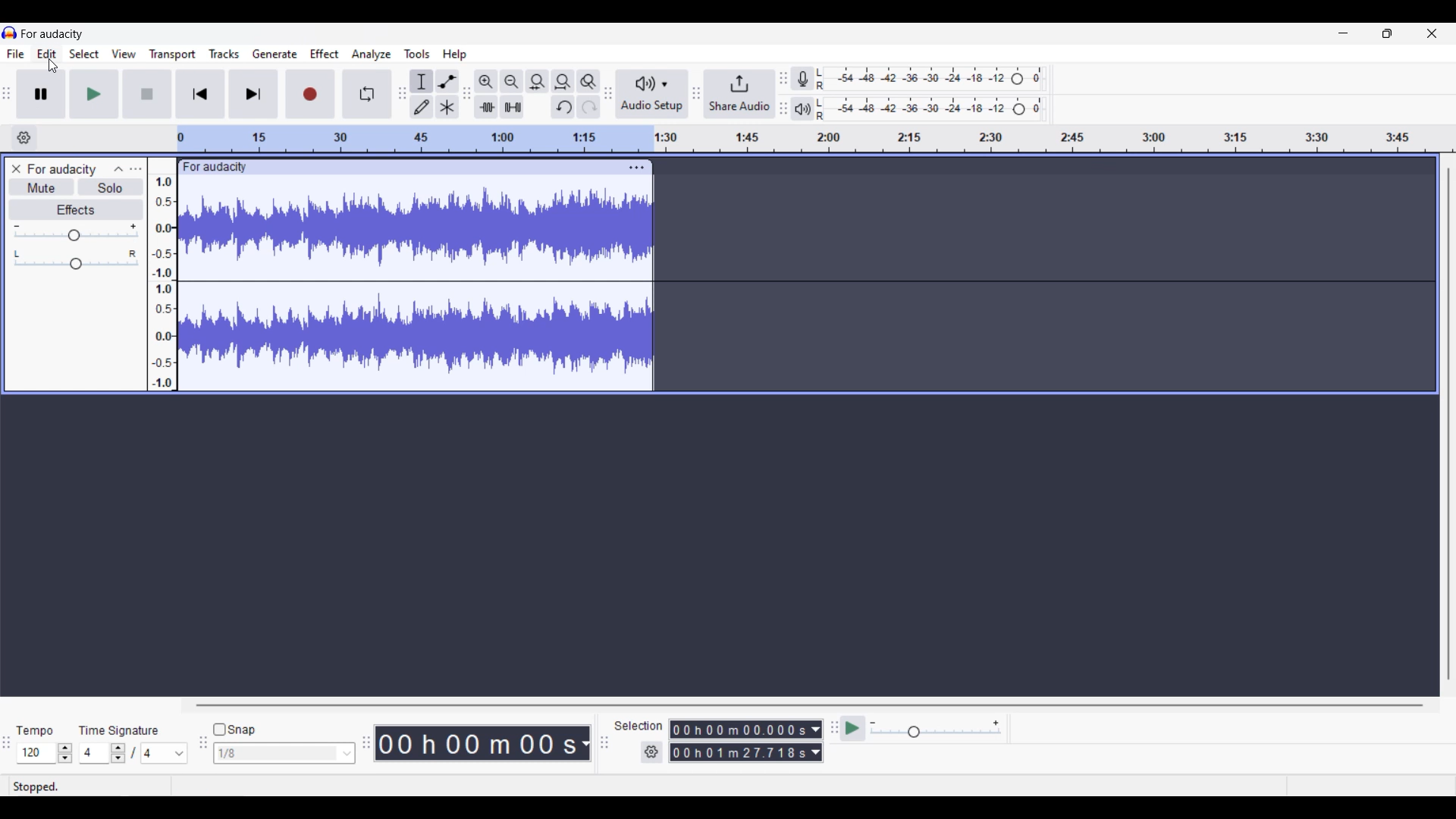 The image size is (1456, 819). Describe the element at coordinates (930, 109) in the screenshot. I see `Playback level` at that location.